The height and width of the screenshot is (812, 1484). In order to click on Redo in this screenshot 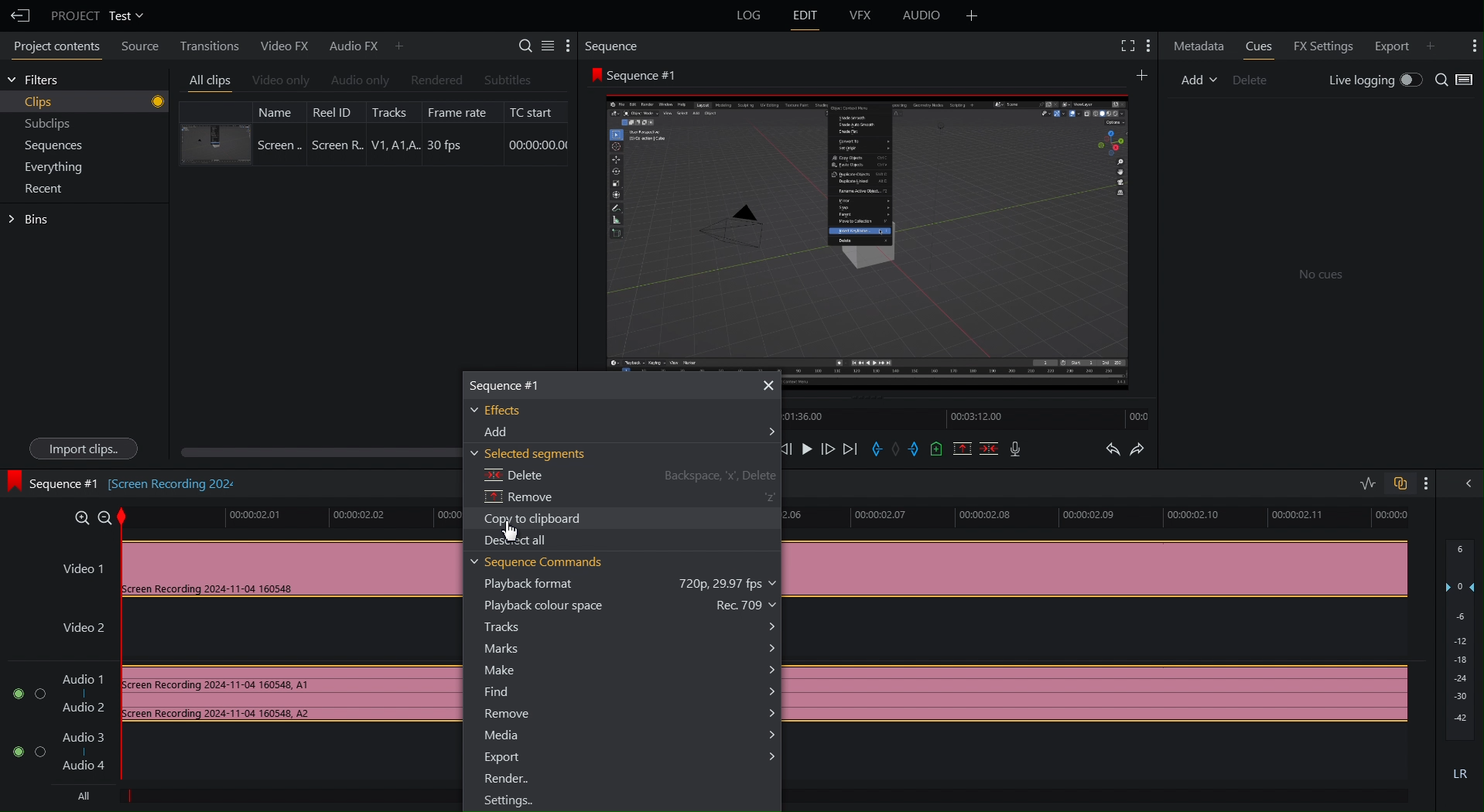, I will do `click(1148, 450)`.